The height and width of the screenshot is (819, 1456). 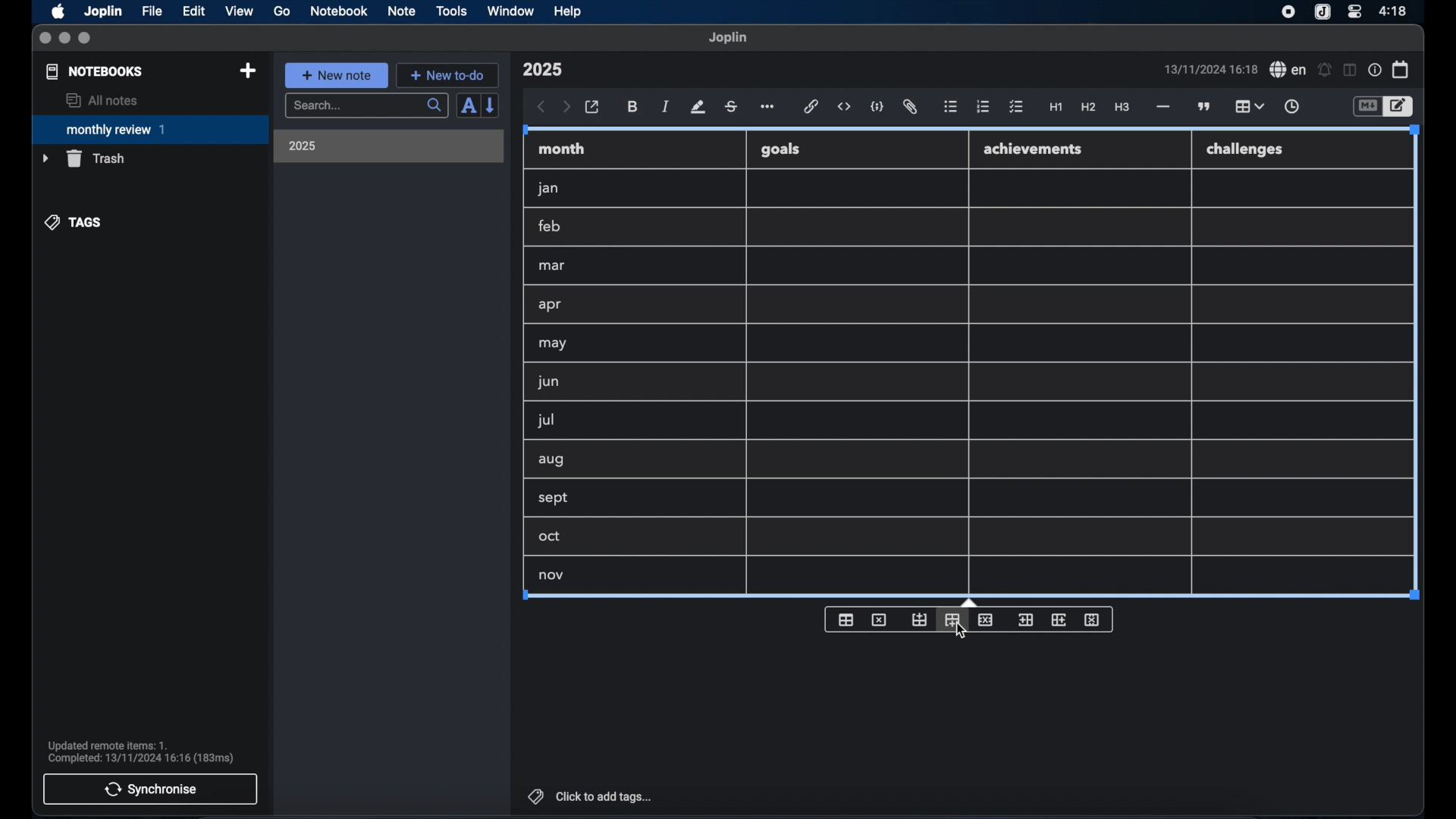 I want to click on forward, so click(x=566, y=108).